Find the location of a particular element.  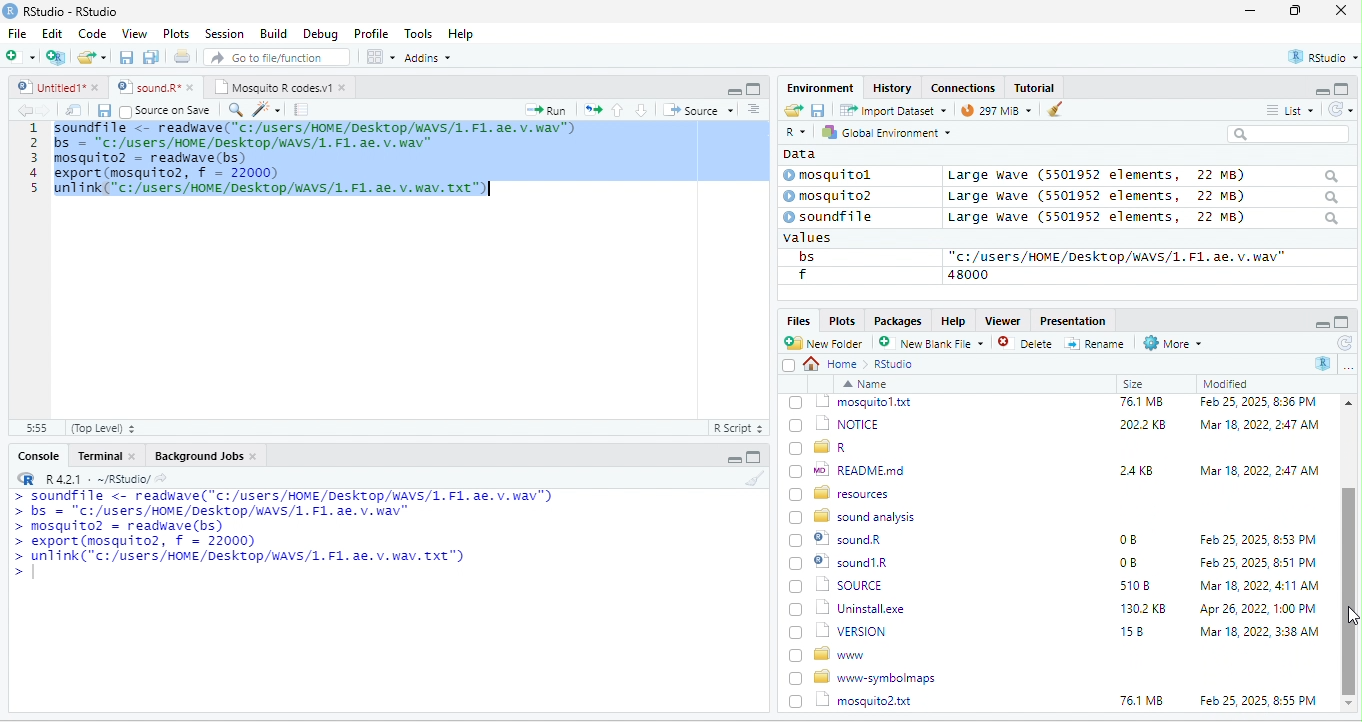

Adonns  is located at coordinates (428, 61).